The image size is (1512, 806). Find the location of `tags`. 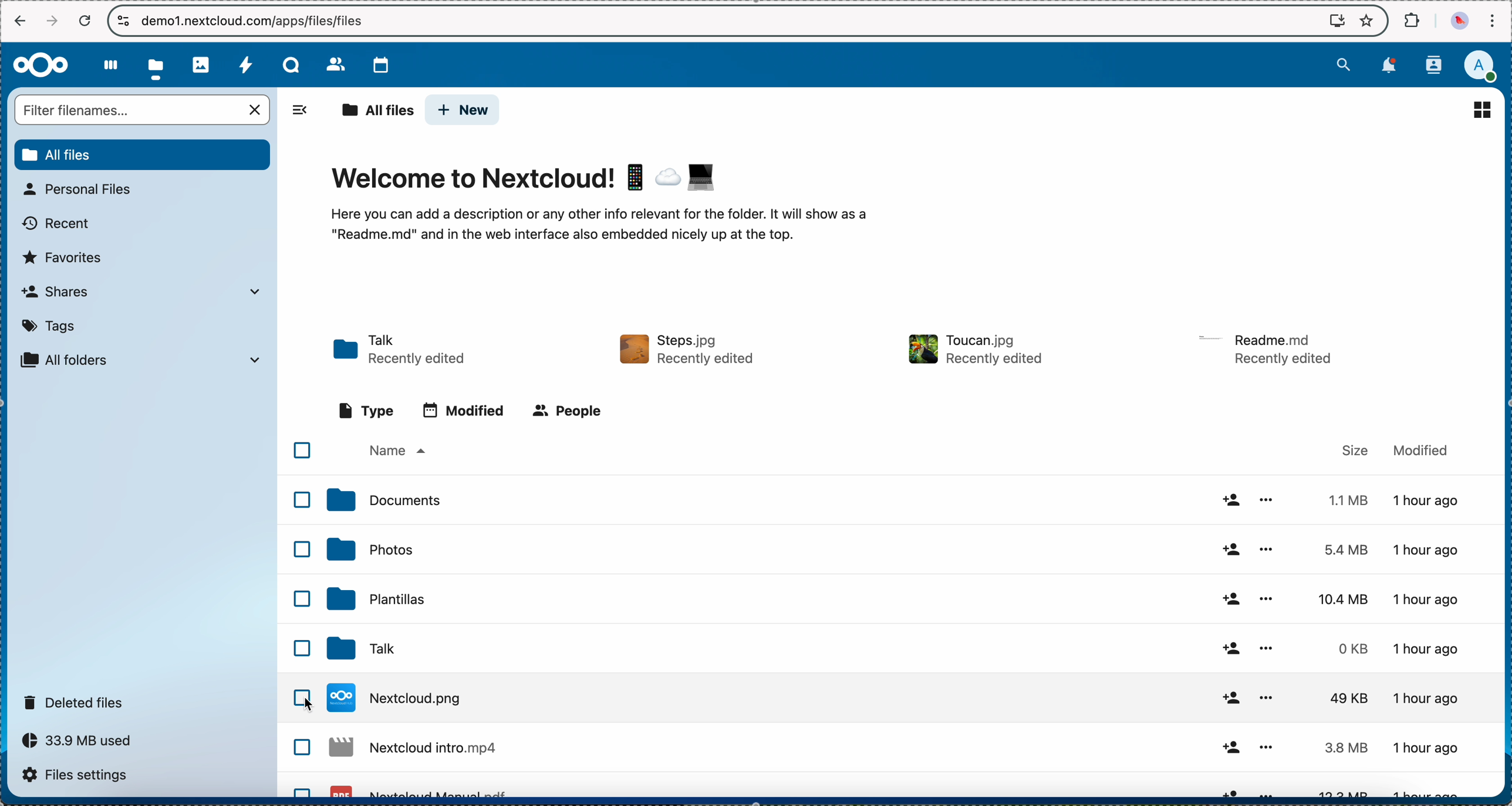

tags is located at coordinates (48, 327).